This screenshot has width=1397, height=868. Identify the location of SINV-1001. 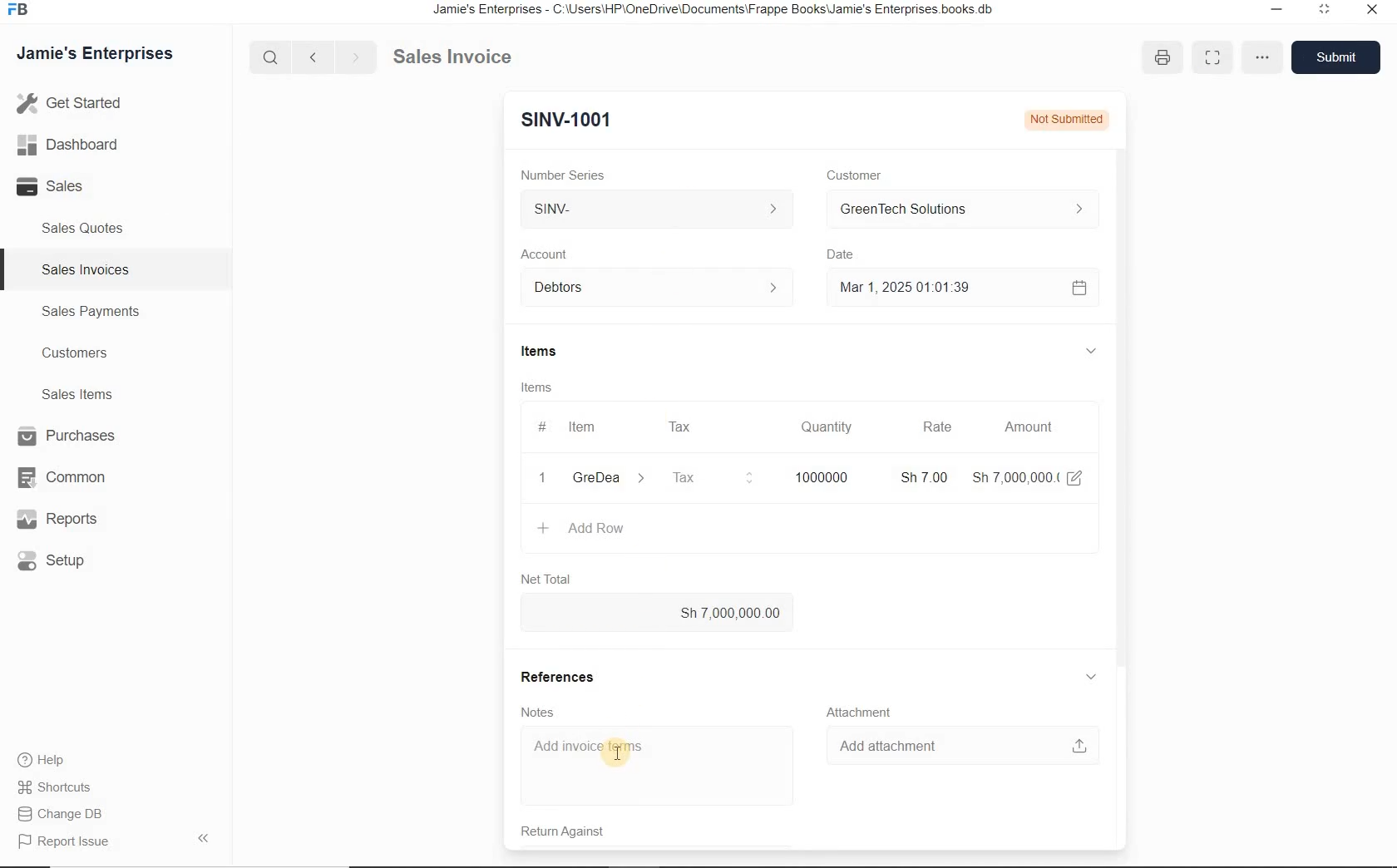
(562, 119).